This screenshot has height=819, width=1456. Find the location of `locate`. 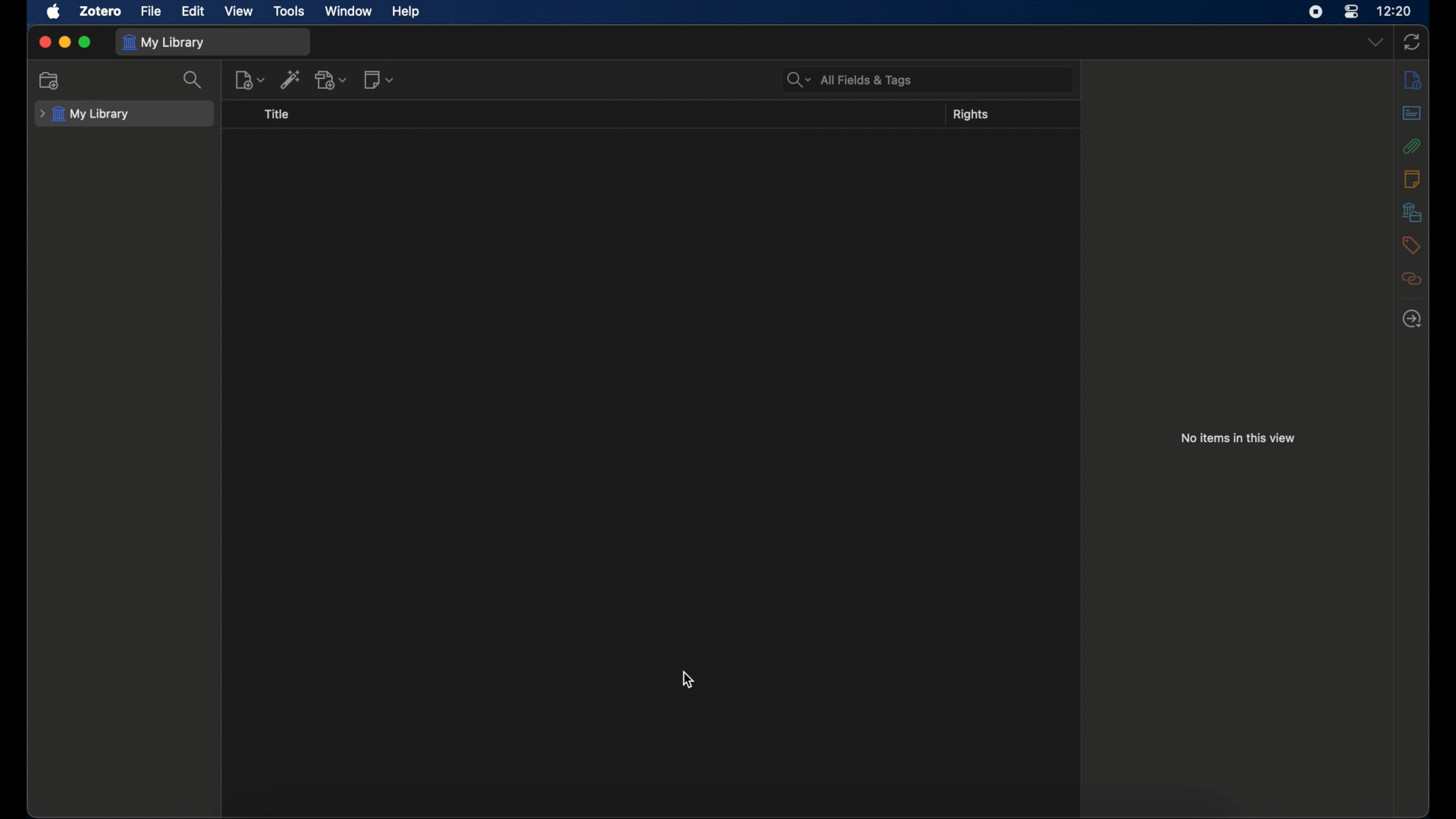

locate is located at coordinates (1412, 318).